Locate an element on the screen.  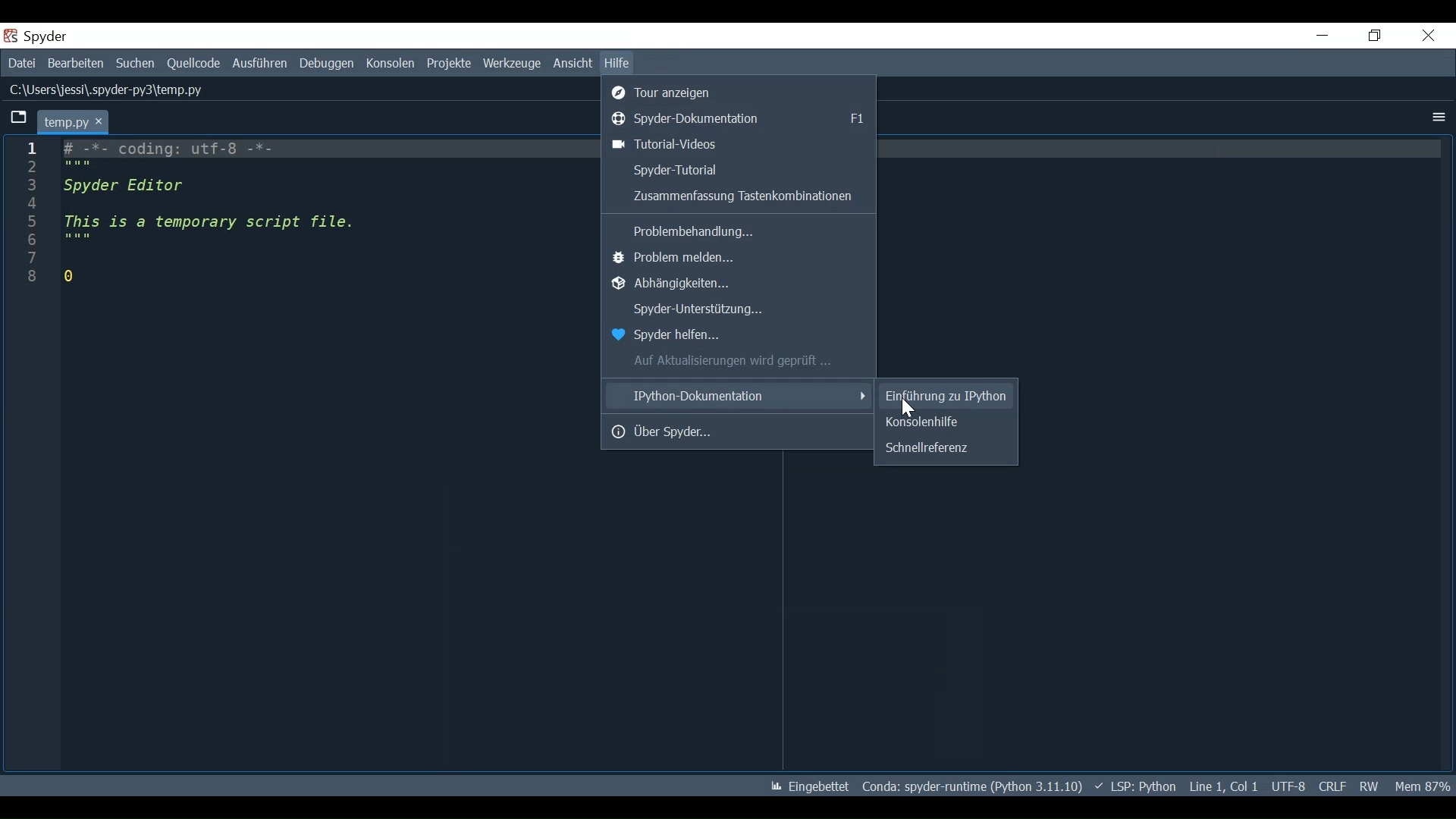
temp.py is located at coordinates (74, 121).